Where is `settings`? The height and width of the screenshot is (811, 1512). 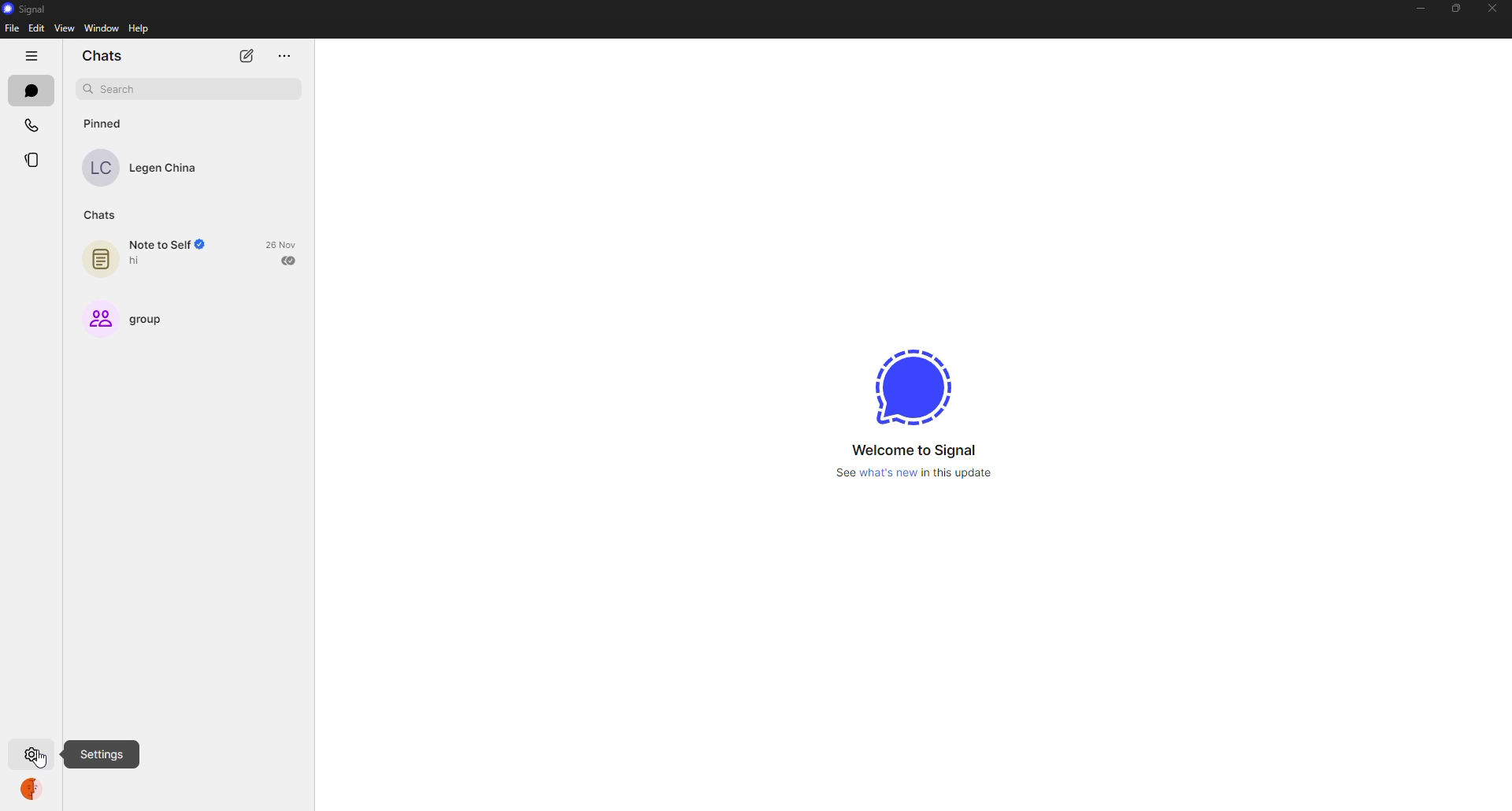 settings is located at coordinates (33, 755).